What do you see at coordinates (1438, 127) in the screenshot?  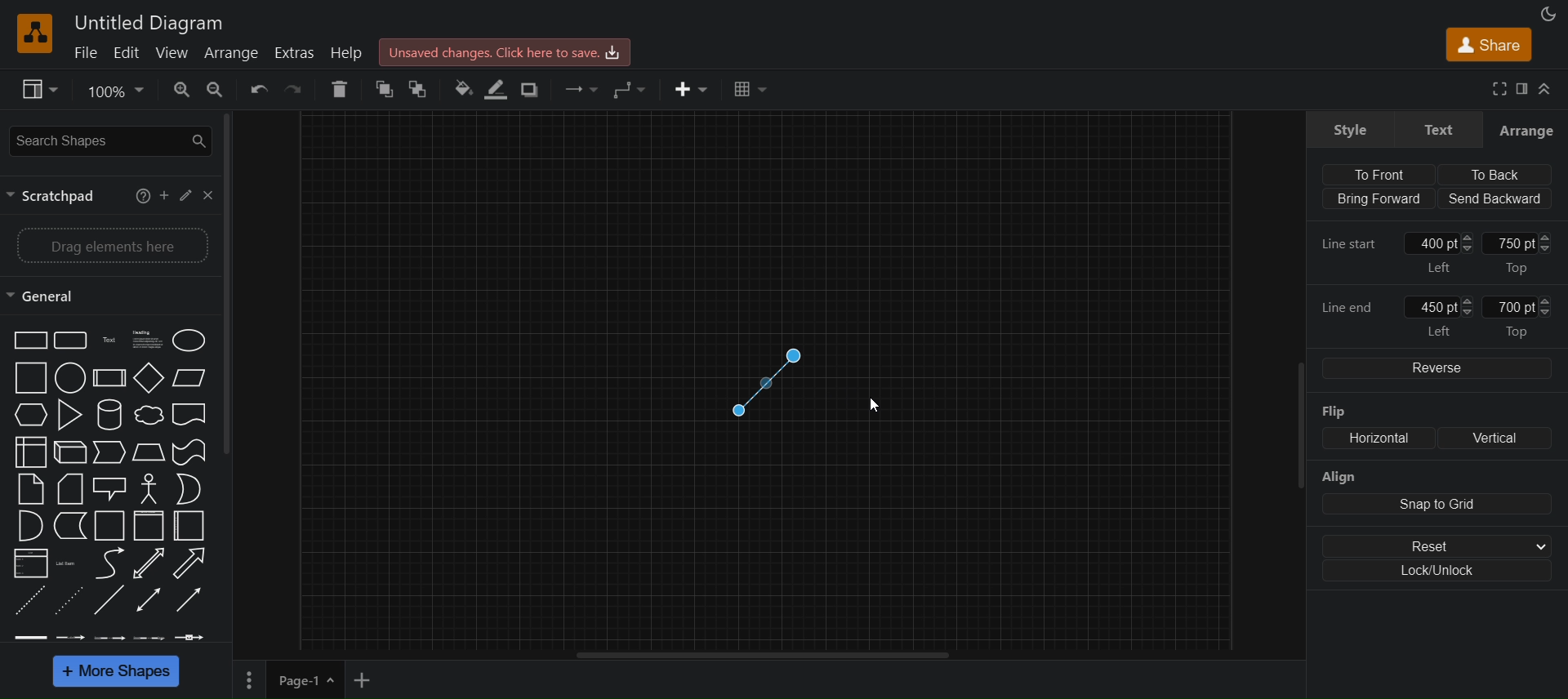 I see `text` at bounding box center [1438, 127].